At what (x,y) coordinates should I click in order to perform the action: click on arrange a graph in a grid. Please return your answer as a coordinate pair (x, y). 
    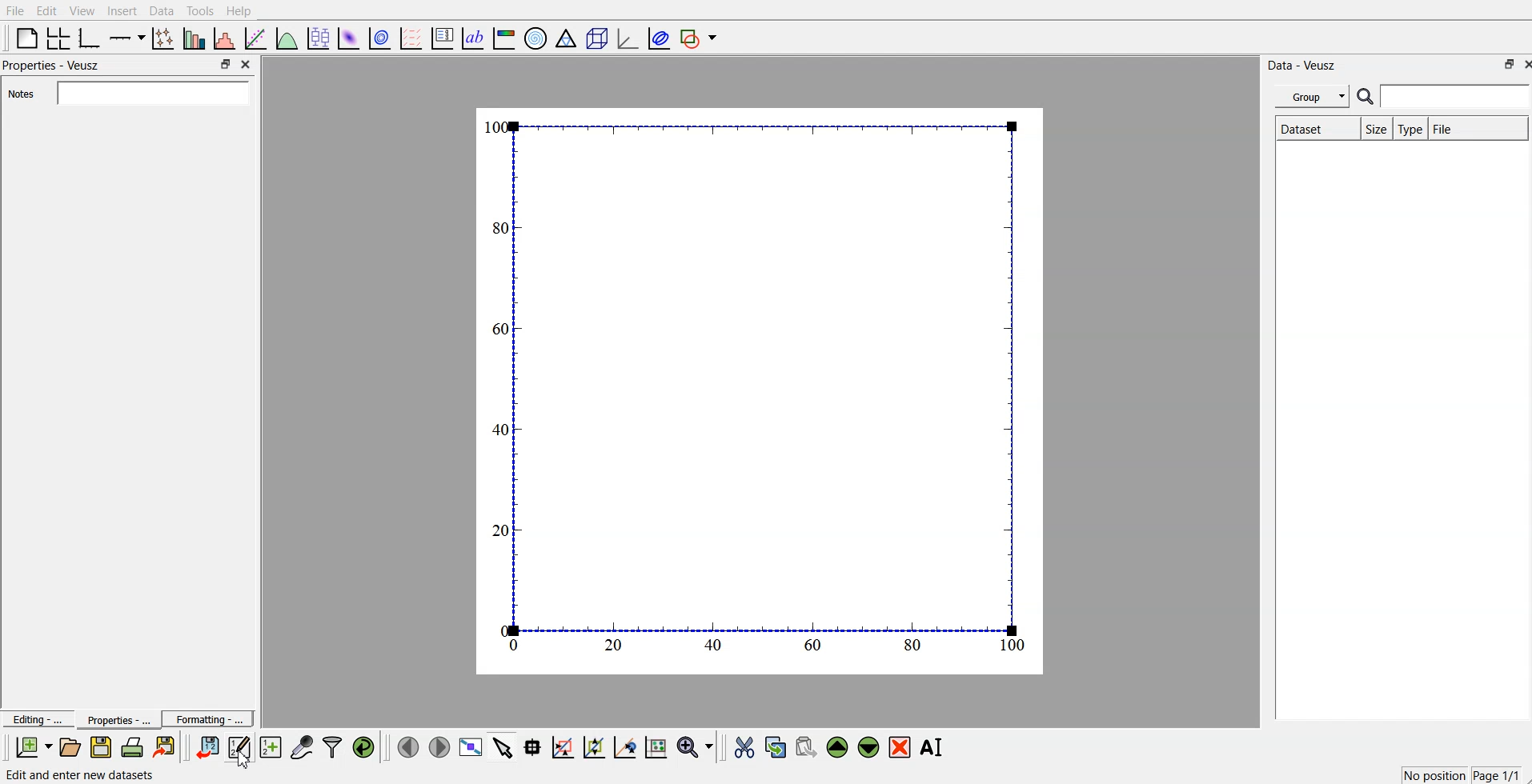
    Looking at the image, I should click on (59, 37).